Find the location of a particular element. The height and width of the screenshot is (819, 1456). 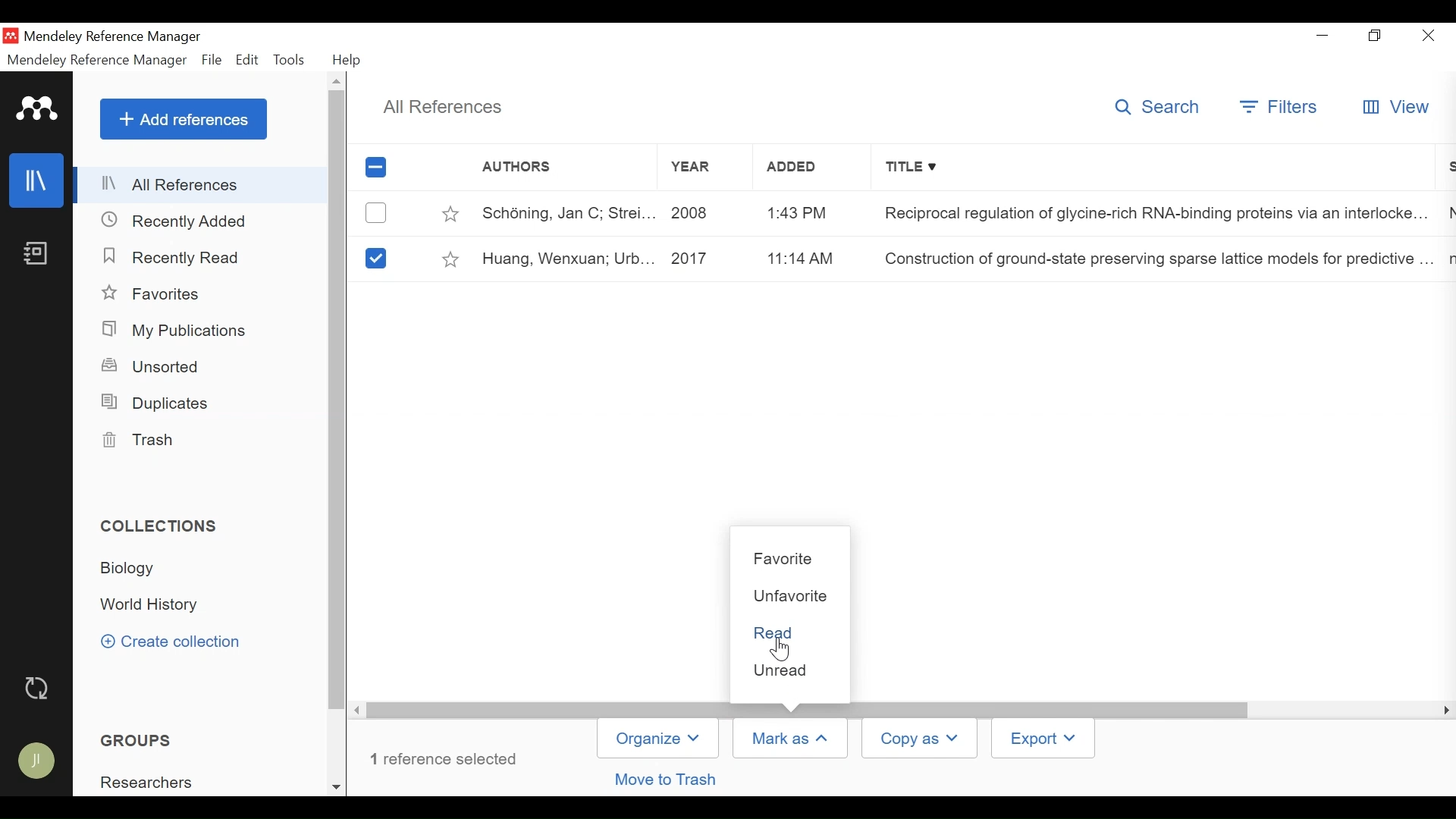

All References is located at coordinates (202, 185).